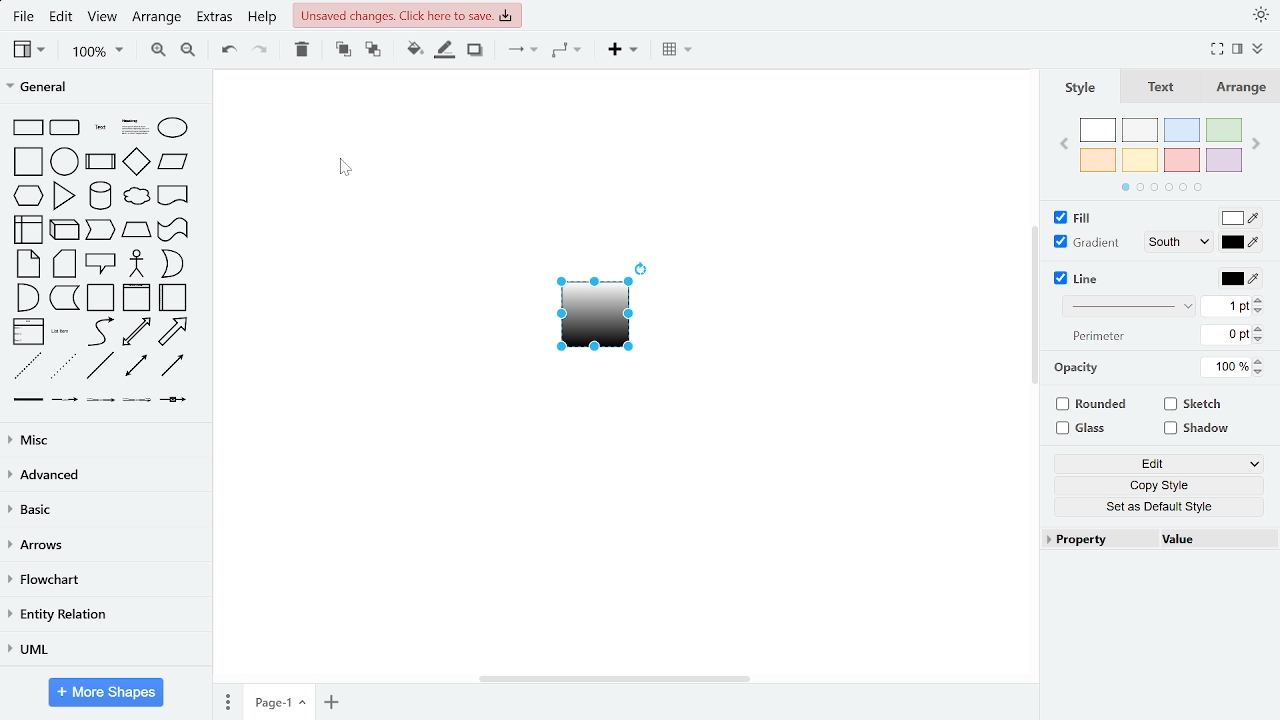 Image resolution: width=1280 pixels, height=720 pixels. I want to click on shadow, so click(475, 51).